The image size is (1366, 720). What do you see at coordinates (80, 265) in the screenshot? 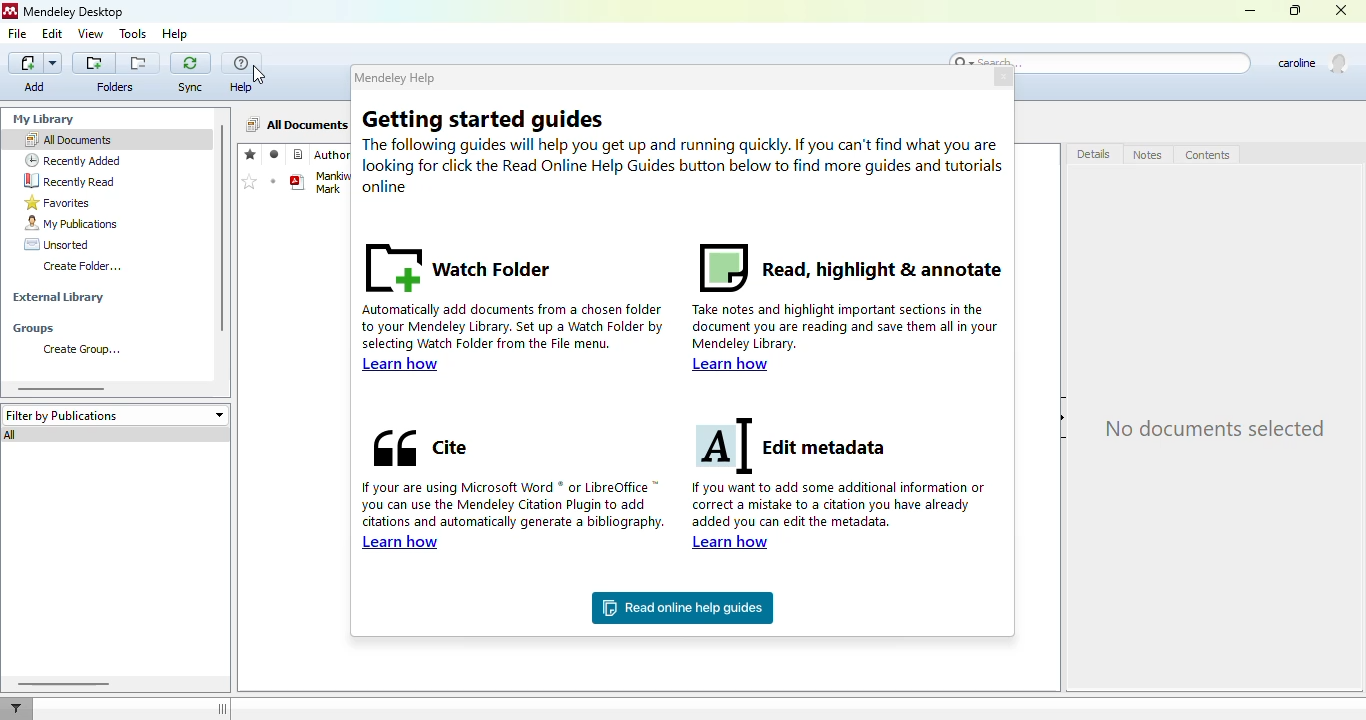
I see `create folder` at bounding box center [80, 265].